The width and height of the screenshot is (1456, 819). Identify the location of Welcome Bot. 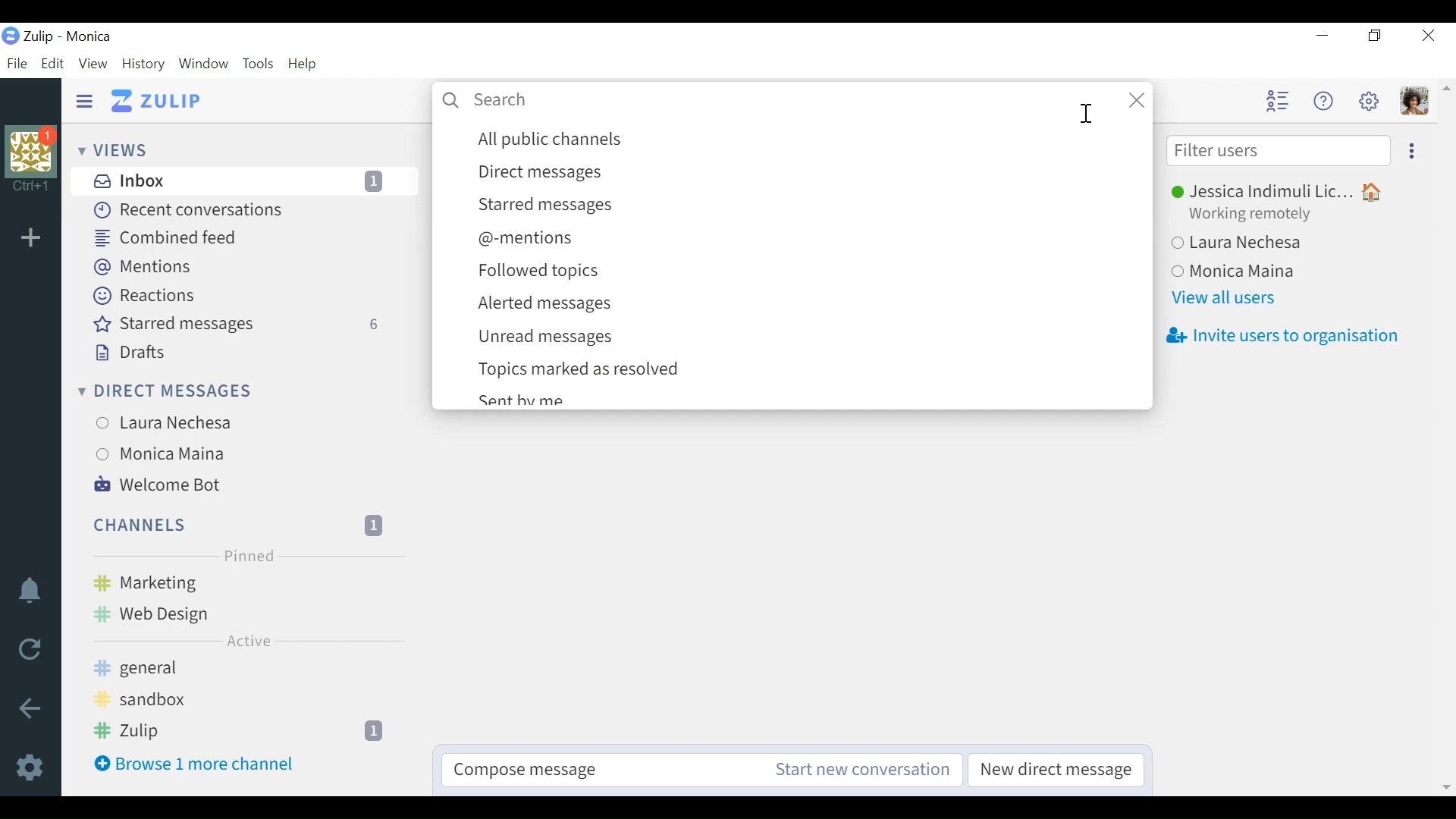
(160, 485).